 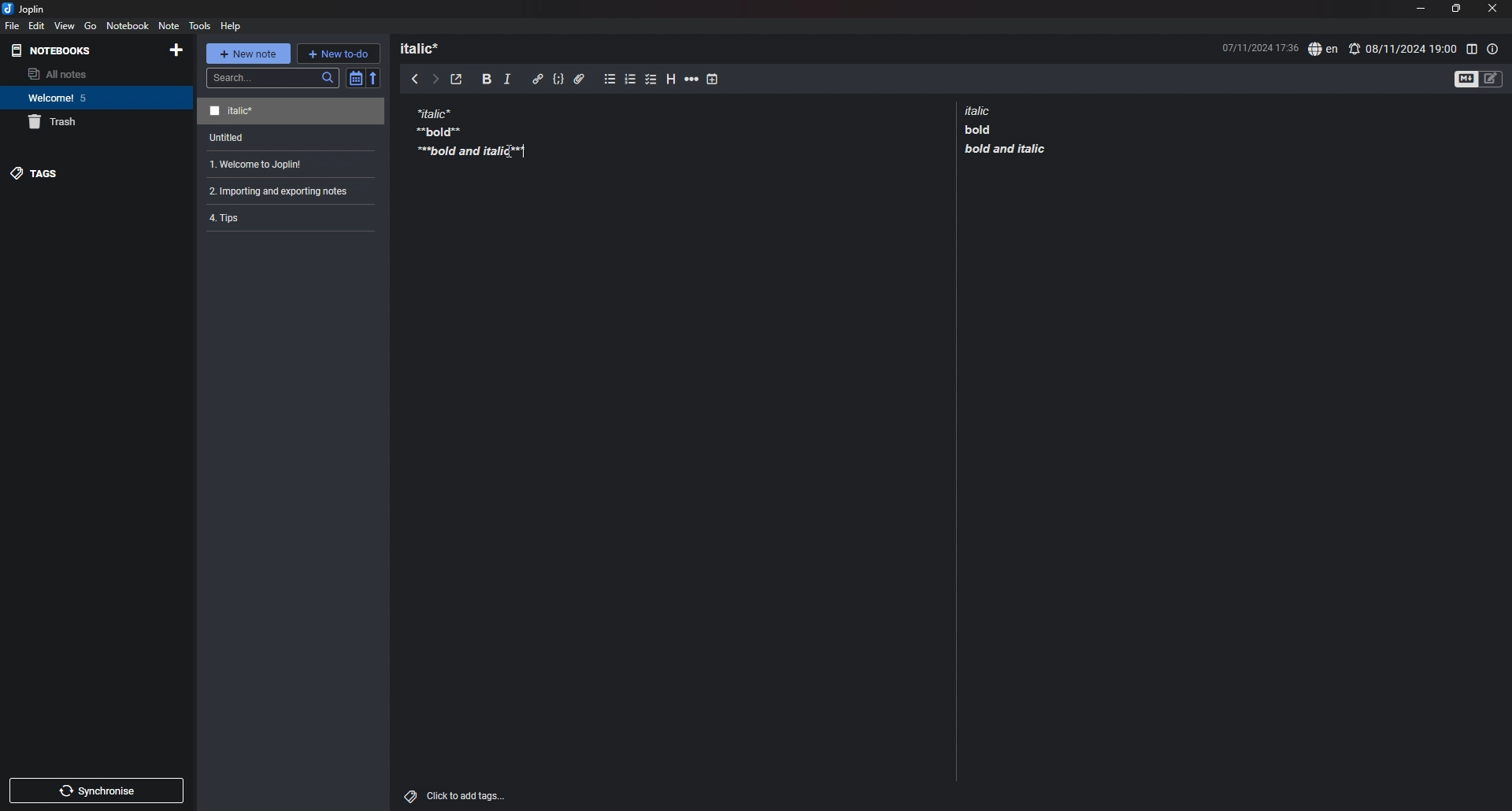 I want to click on new note, so click(x=247, y=54).